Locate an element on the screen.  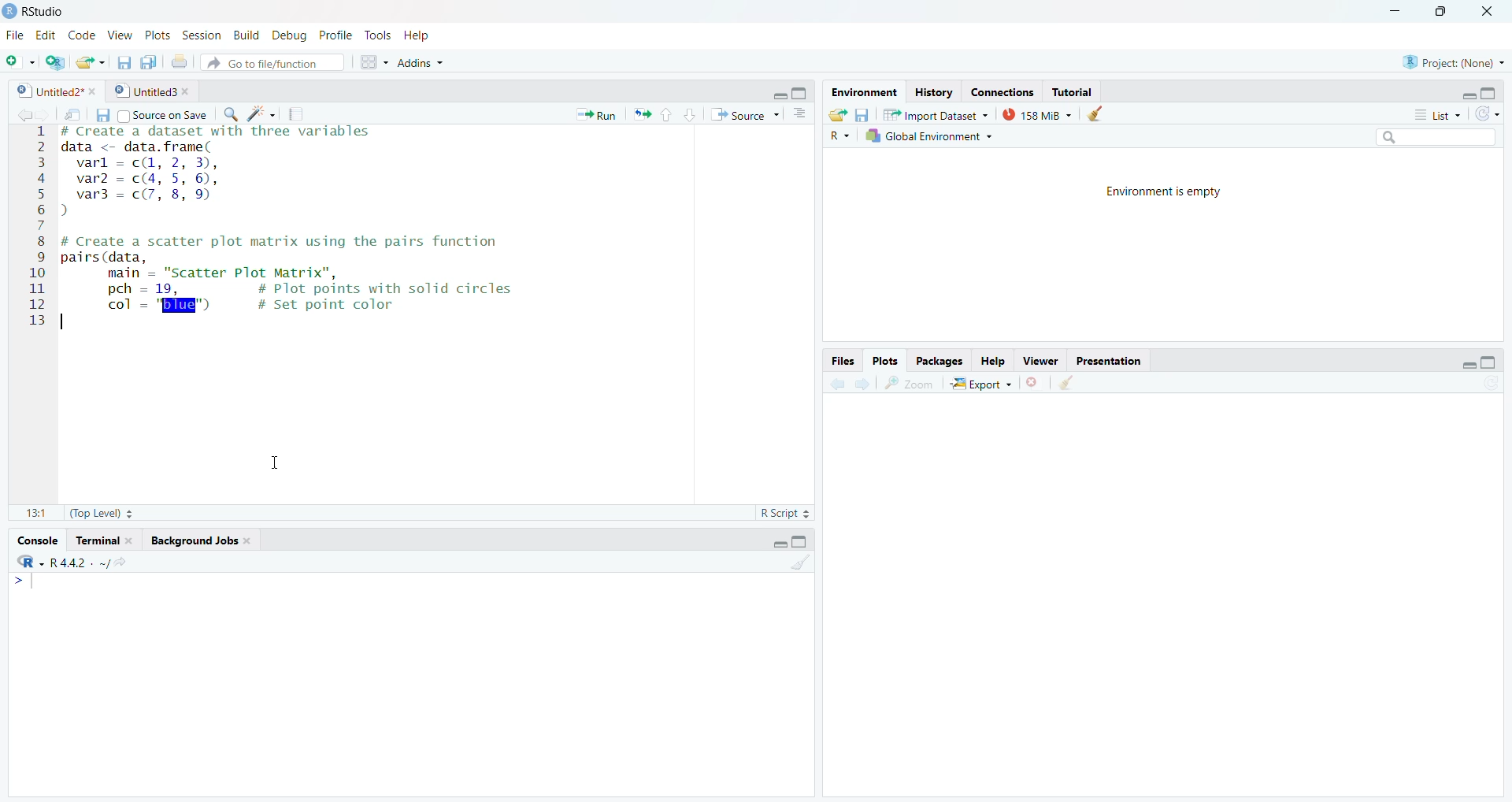
Choose language is located at coordinates (840, 135).